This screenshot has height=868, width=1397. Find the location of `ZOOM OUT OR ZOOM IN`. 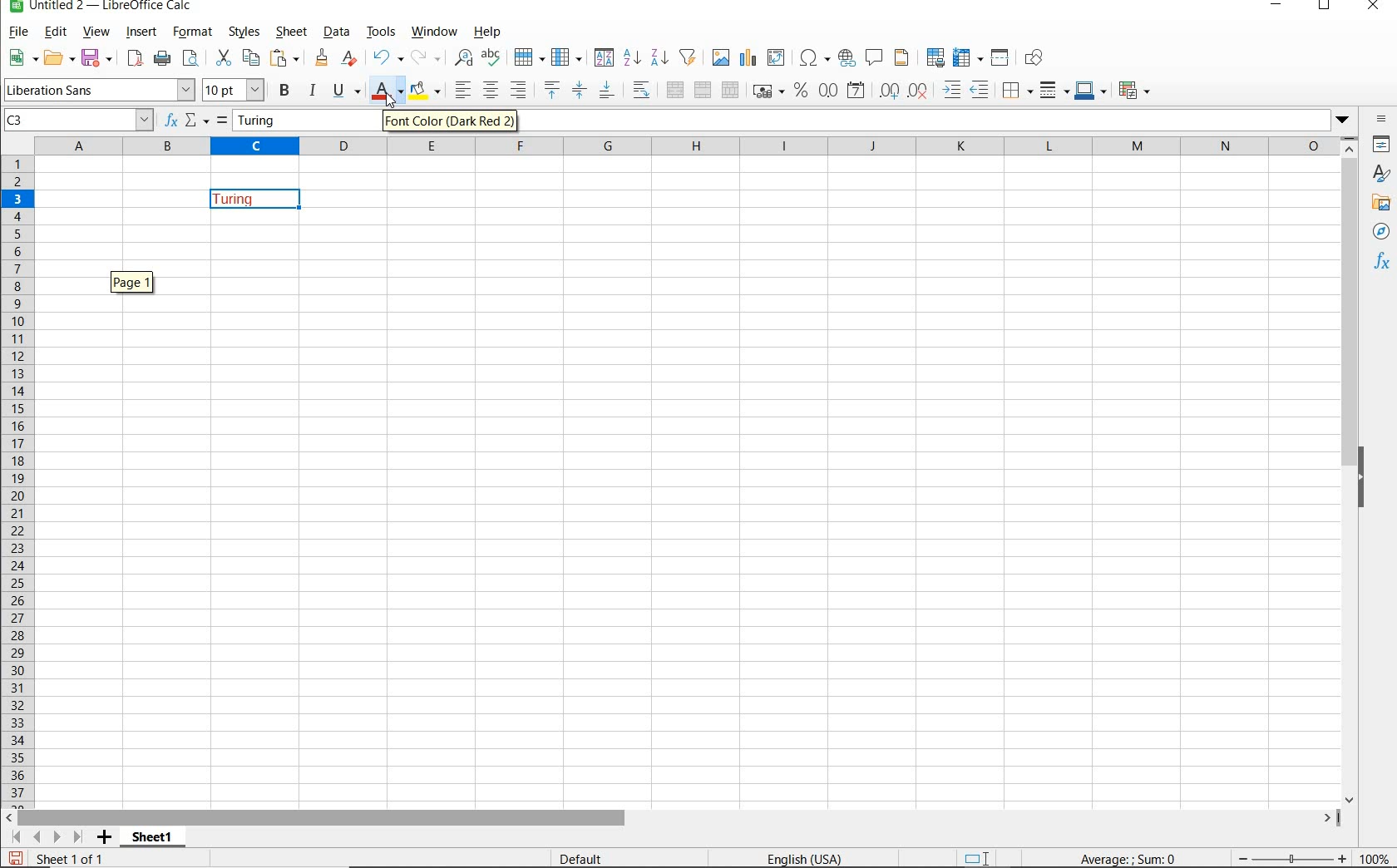

ZOOM OUT OR ZOOM IN is located at coordinates (1282, 858).